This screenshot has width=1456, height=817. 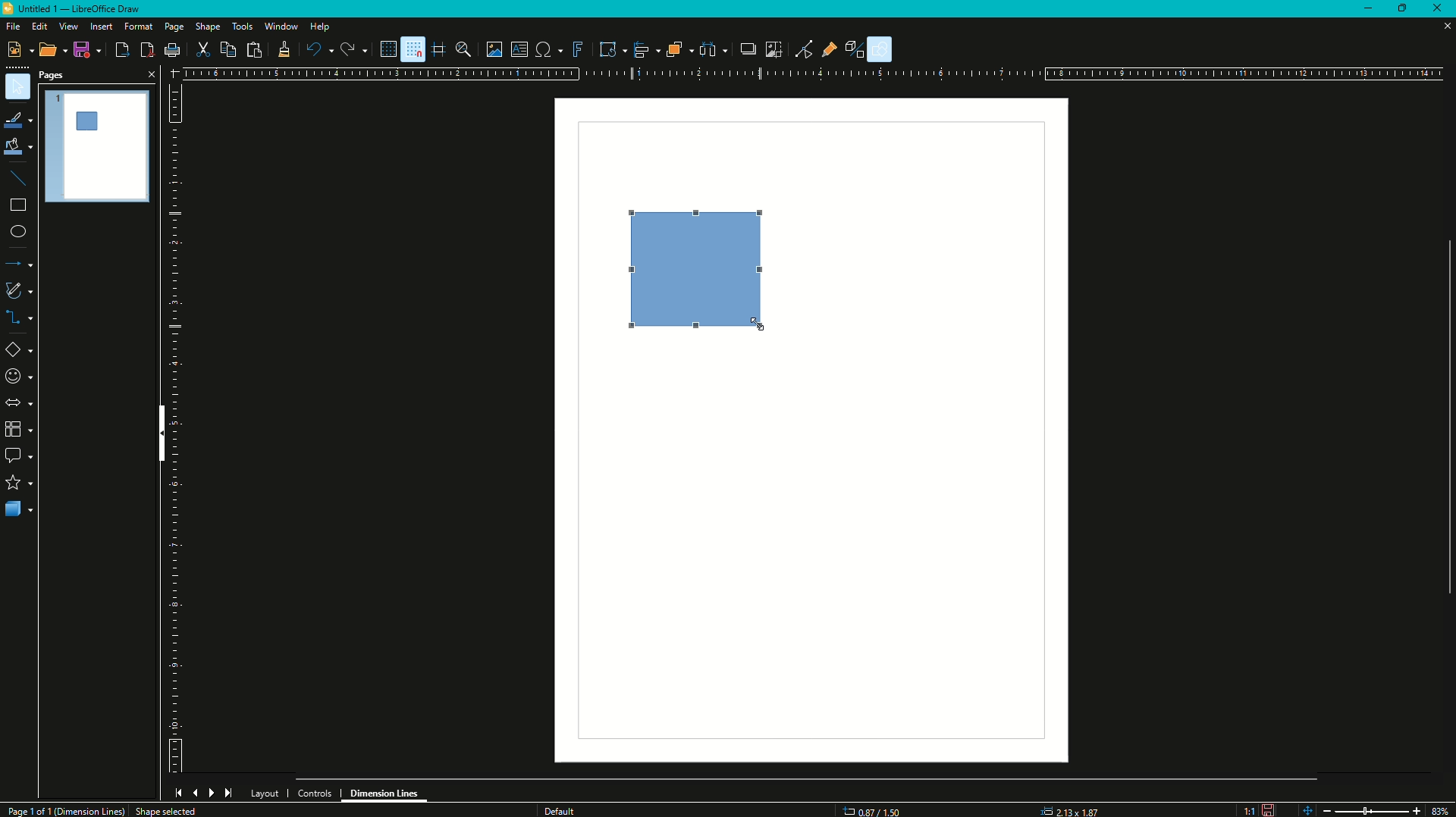 I want to click on View, so click(x=67, y=27).